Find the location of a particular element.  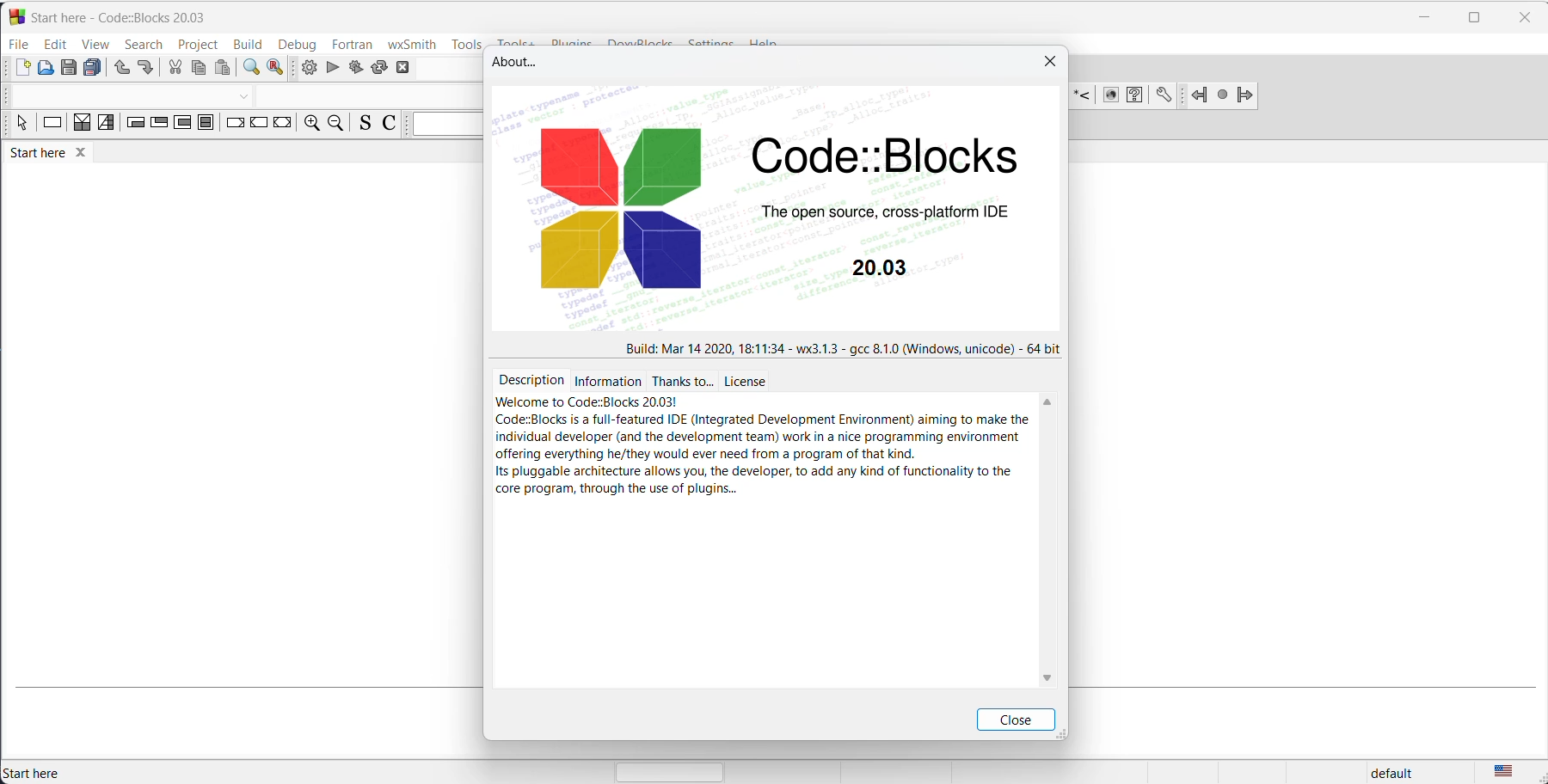

return instruction is located at coordinates (286, 126).